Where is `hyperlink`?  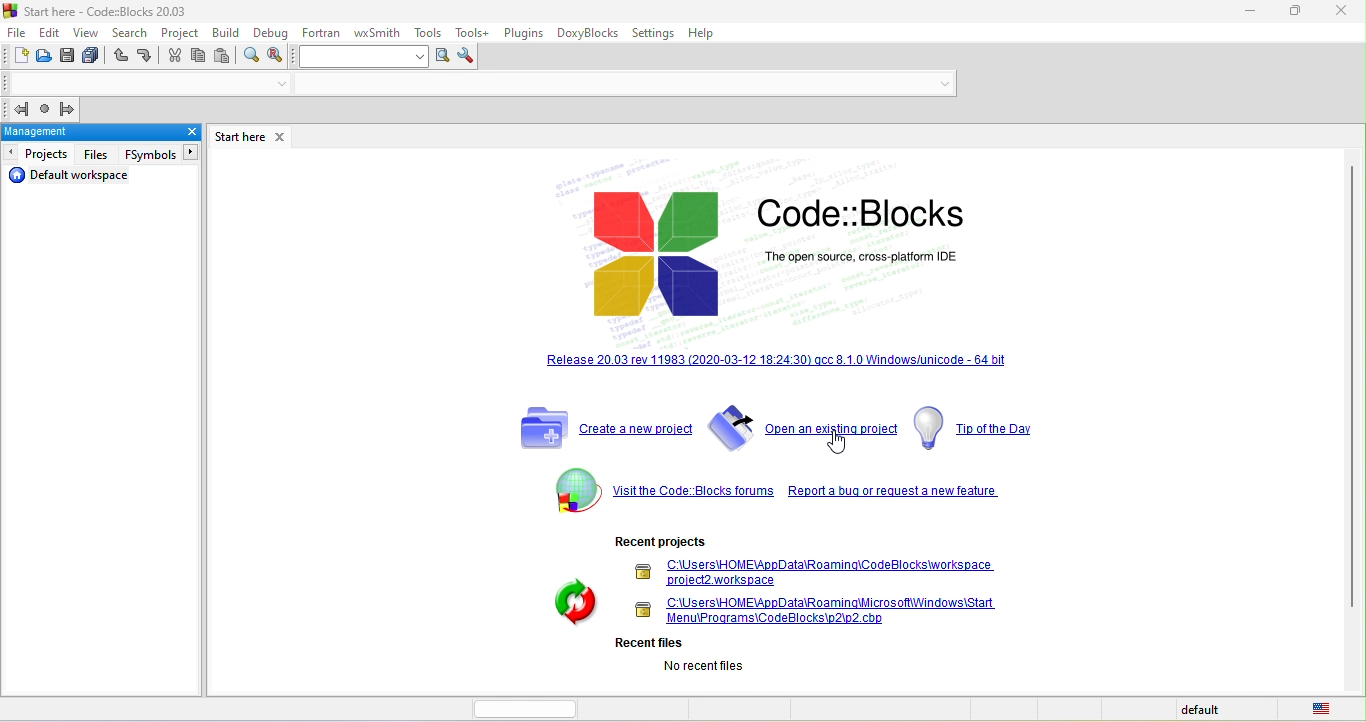
hyperlink is located at coordinates (785, 361).